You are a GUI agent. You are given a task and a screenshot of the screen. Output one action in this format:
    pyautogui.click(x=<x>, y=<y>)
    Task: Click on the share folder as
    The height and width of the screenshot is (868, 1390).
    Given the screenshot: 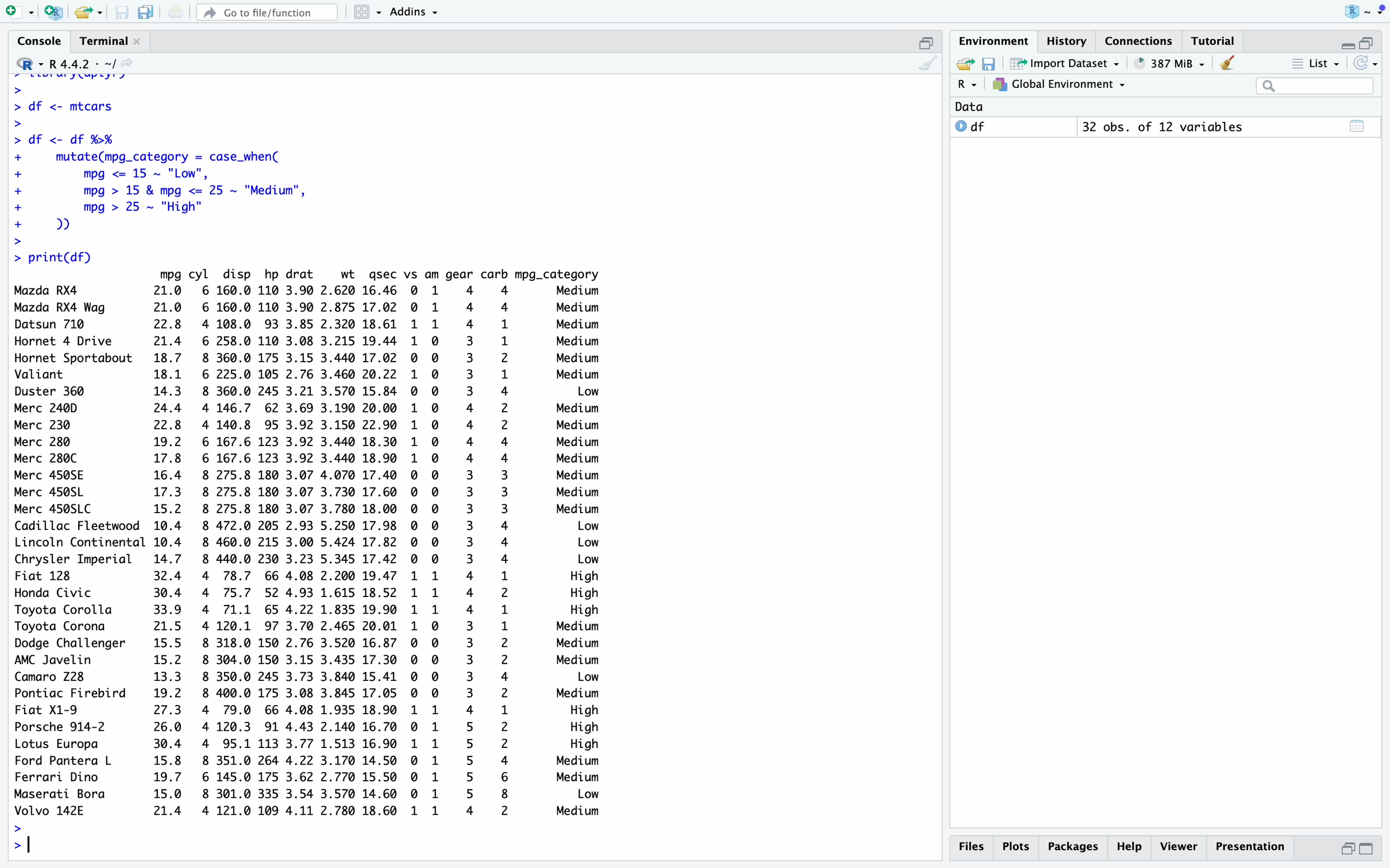 What is the action you would take?
    pyautogui.click(x=90, y=13)
    